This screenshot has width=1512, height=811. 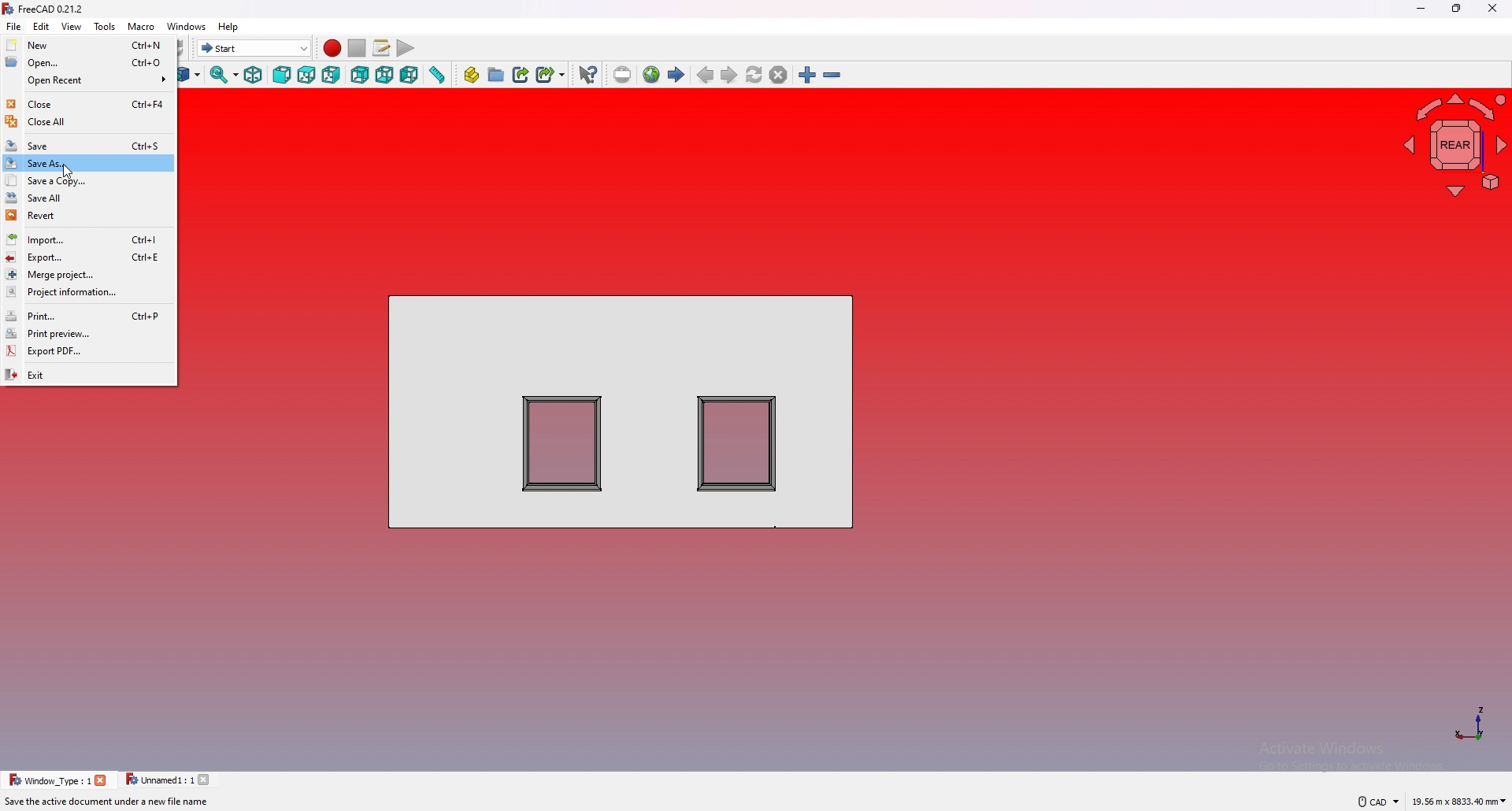 What do you see at coordinates (361, 76) in the screenshot?
I see `back` at bounding box center [361, 76].